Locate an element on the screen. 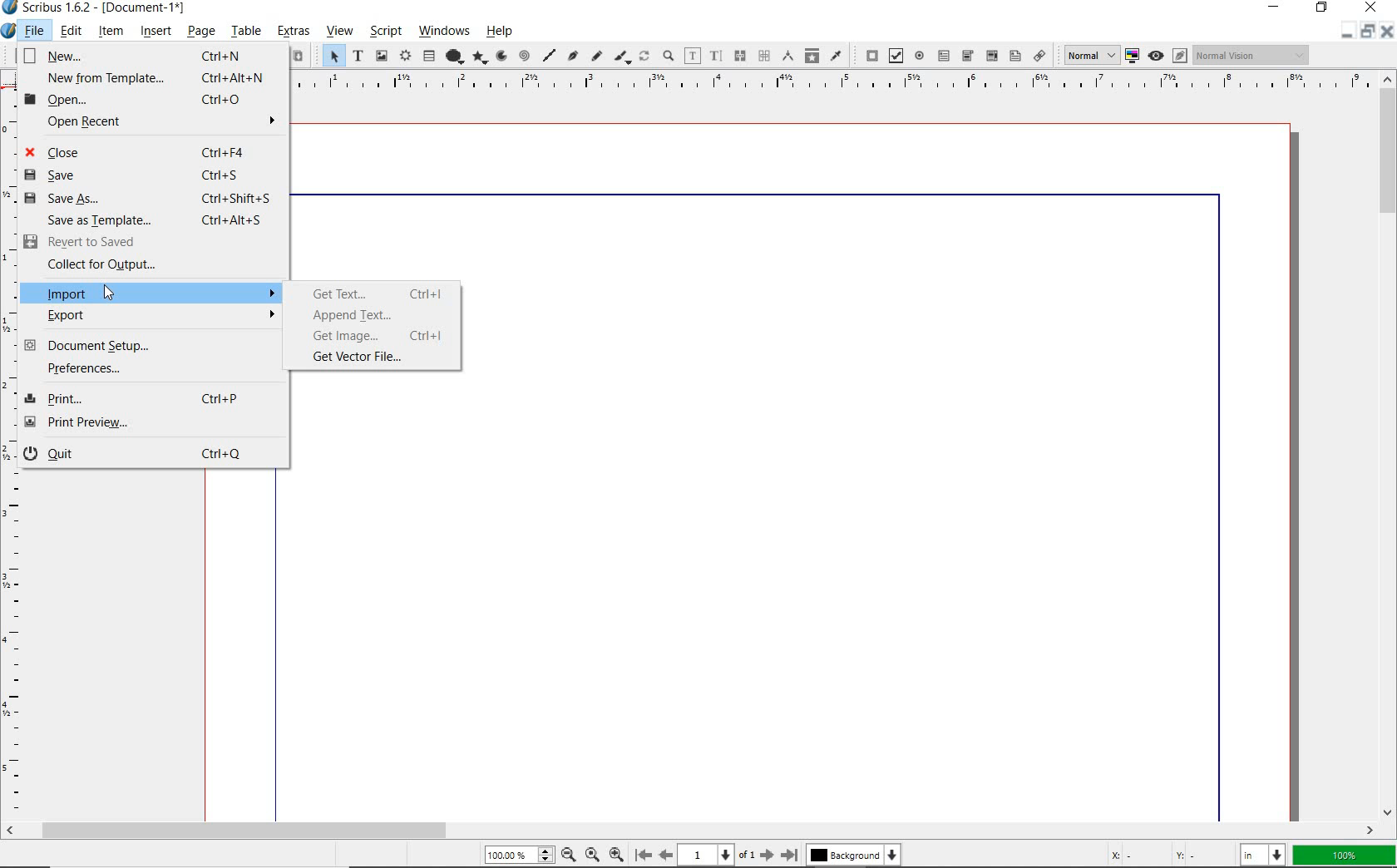  New from Template... Ctrl+Alt+N is located at coordinates (151, 76).